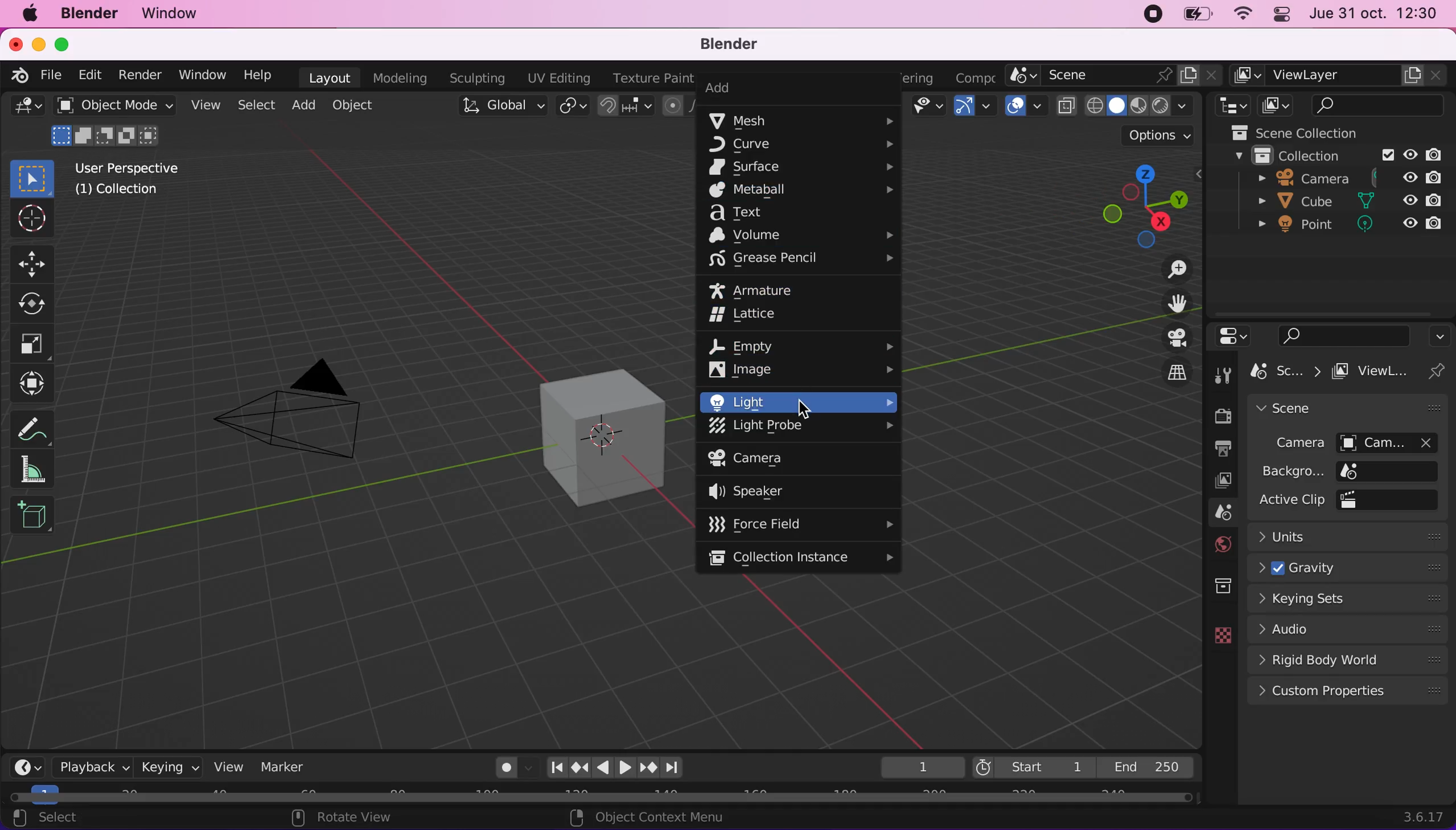 This screenshot has width=1456, height=830. Describe the element at coordinates (911, 765) in the screenshot. I see `1` at that location.